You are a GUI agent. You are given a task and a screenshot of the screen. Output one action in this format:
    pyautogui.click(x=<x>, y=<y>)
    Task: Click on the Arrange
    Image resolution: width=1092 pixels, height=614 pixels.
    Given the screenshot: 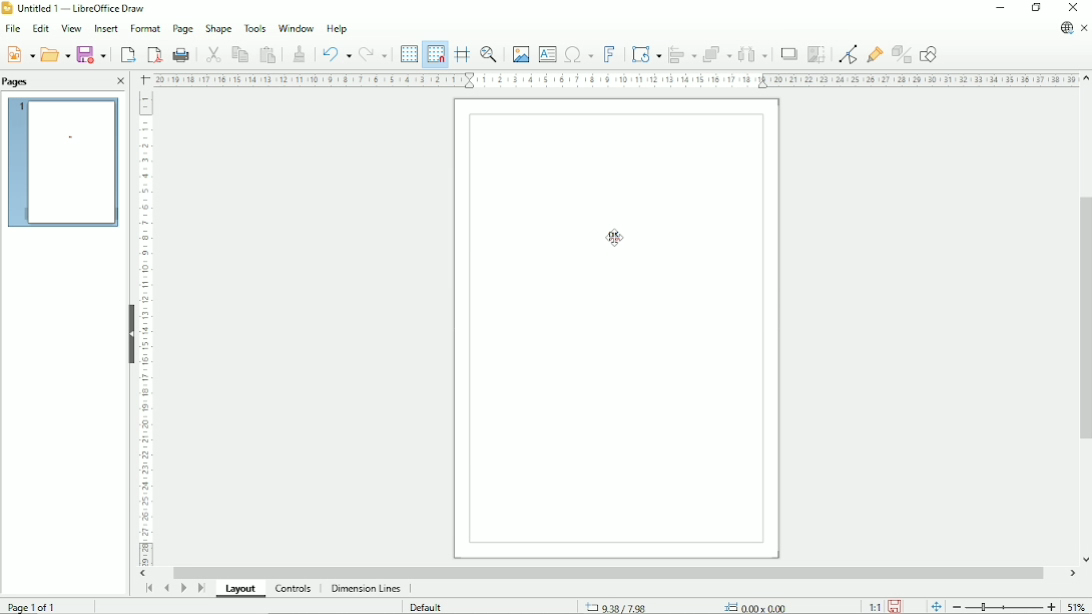 What is the action you would take?
    pyautogui.click(x=716, y=53)
    